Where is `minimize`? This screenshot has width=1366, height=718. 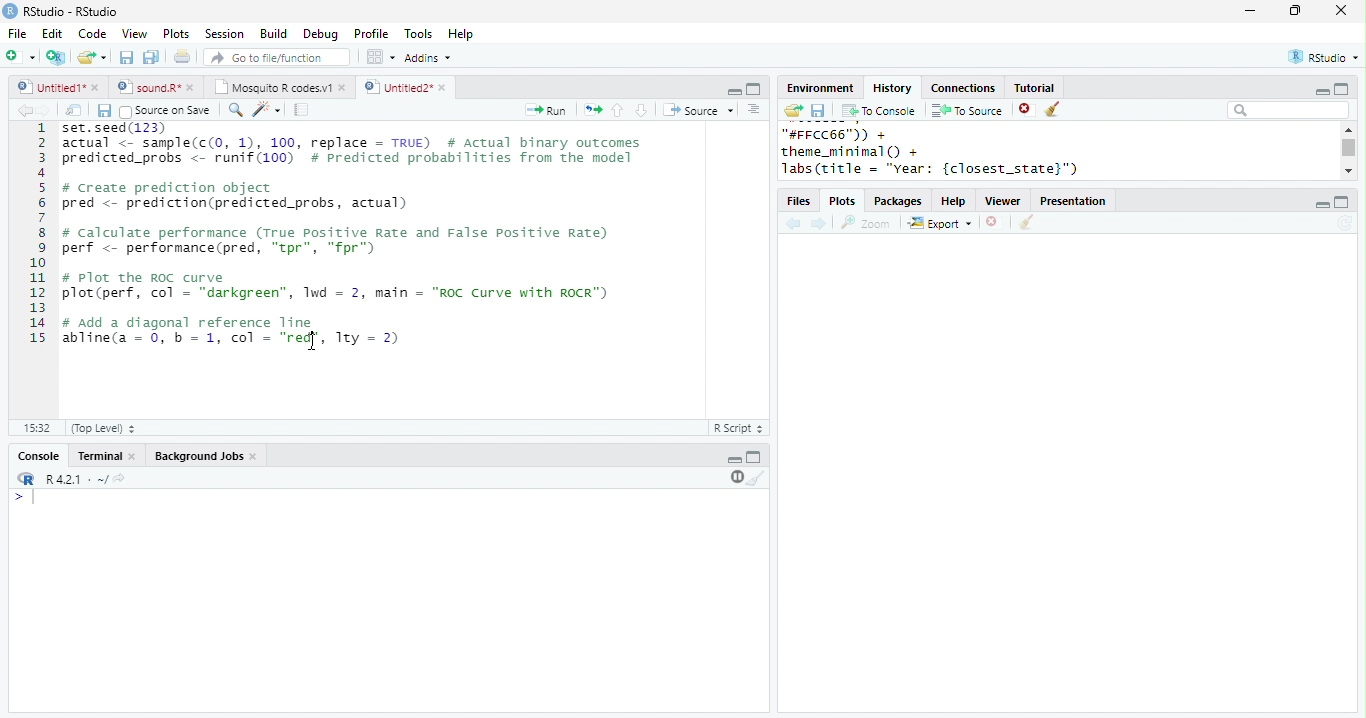 minimize is located at coordinates (734, 460).